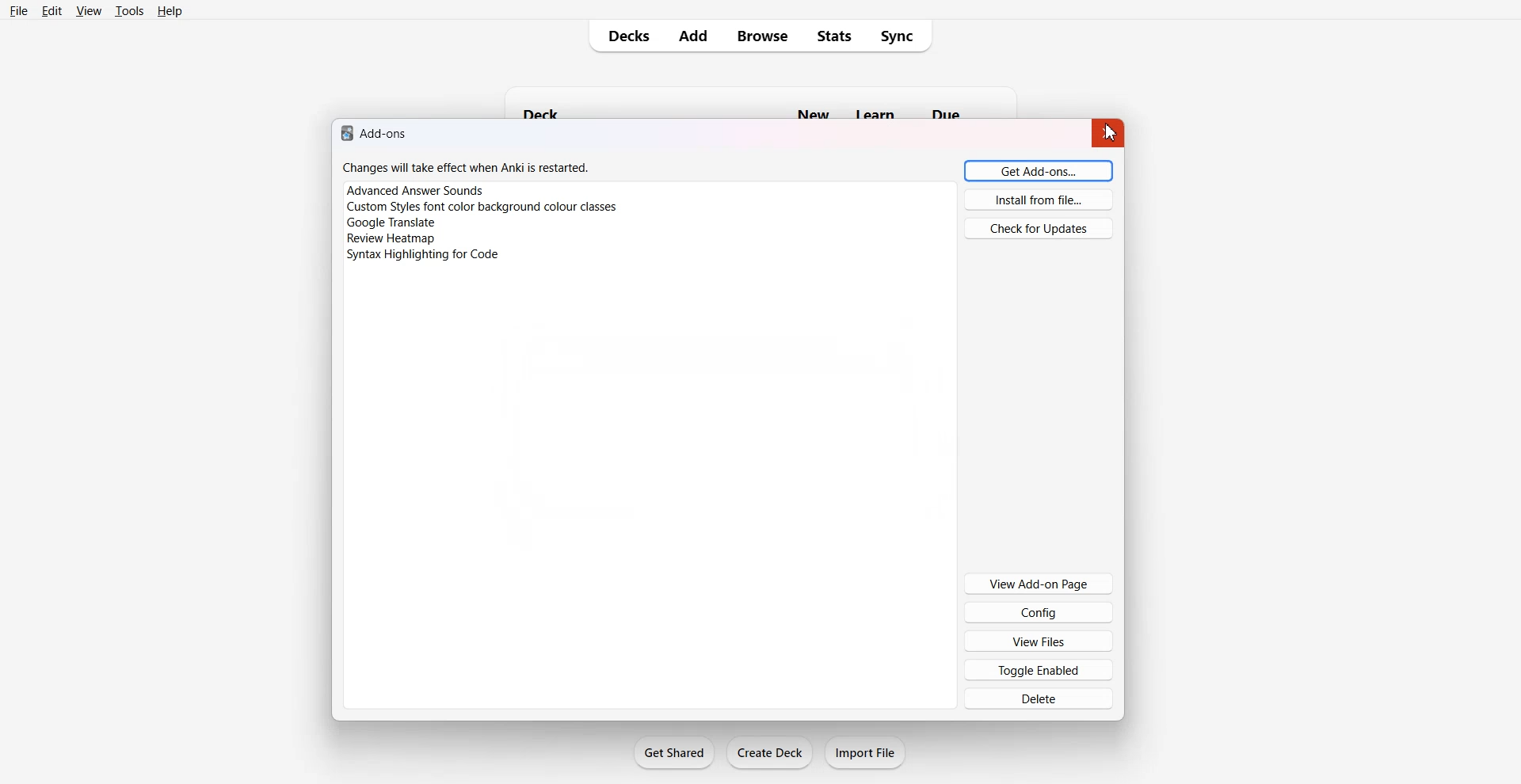  Describe the element at coordinates (694, 36) in the screenshot. I see `Add` at that location.